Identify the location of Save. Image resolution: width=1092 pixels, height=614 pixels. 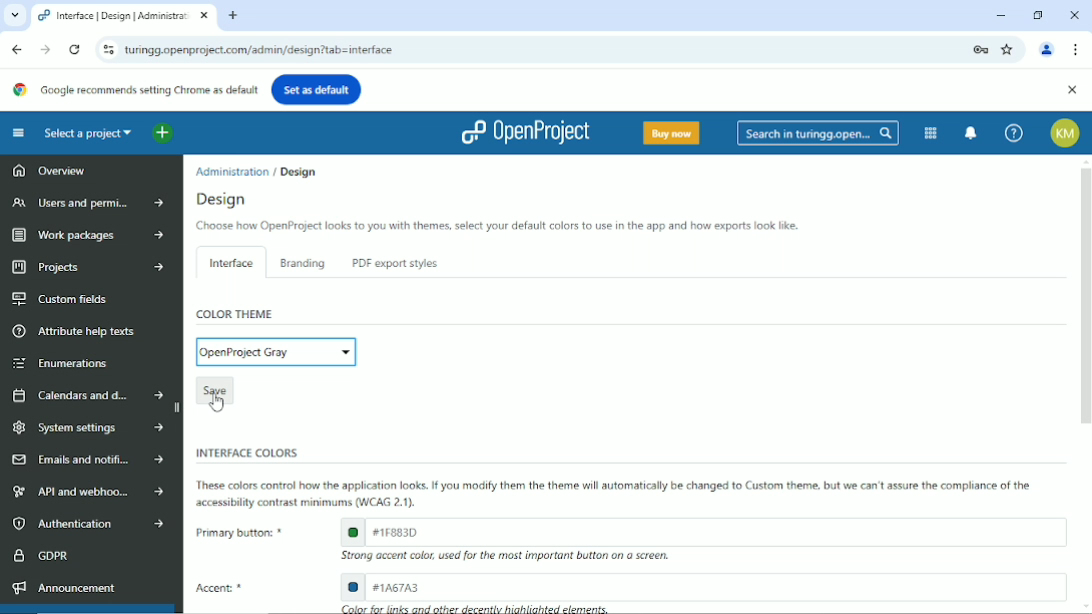
(214, 388).